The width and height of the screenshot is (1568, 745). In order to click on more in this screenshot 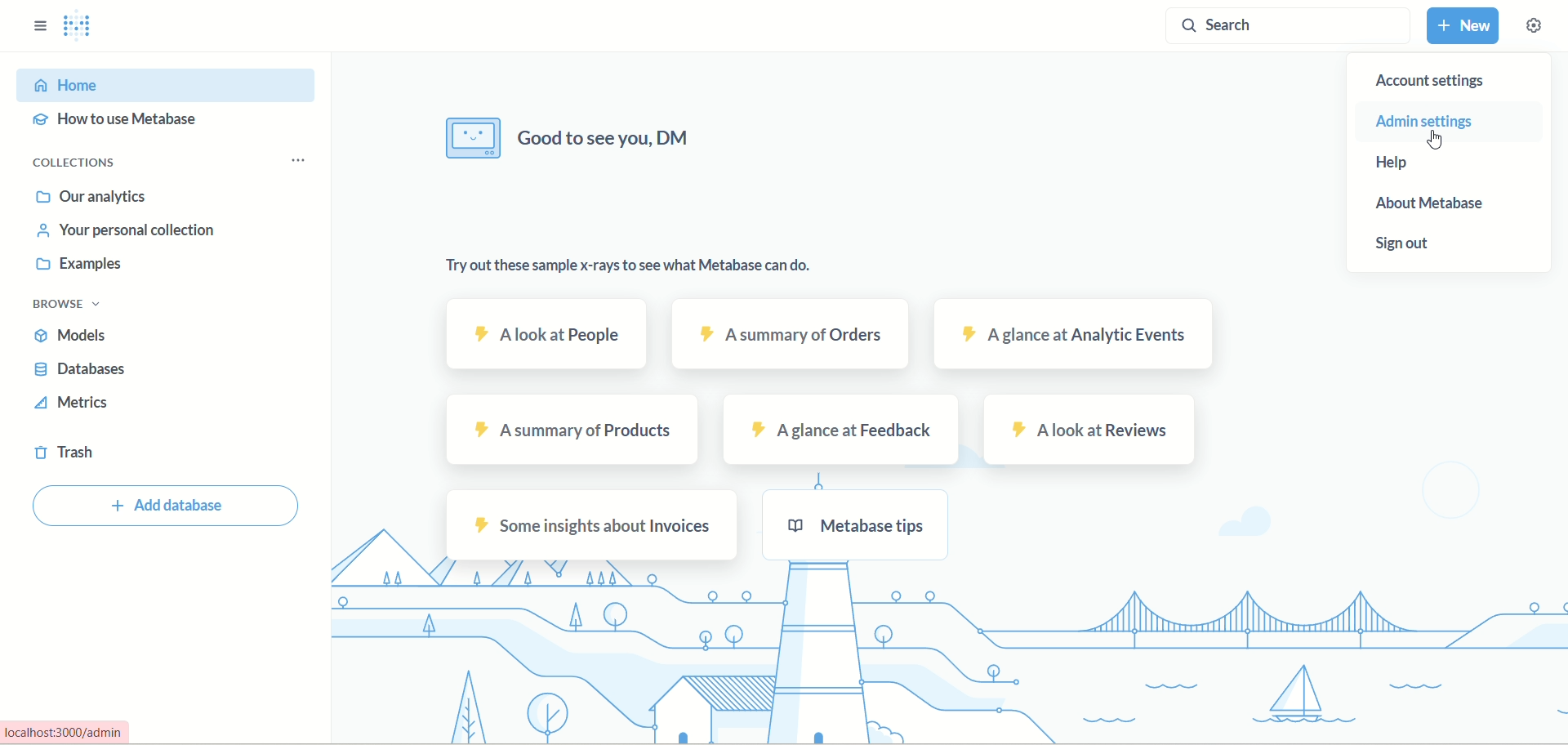, I will do `click(297, 161)`.